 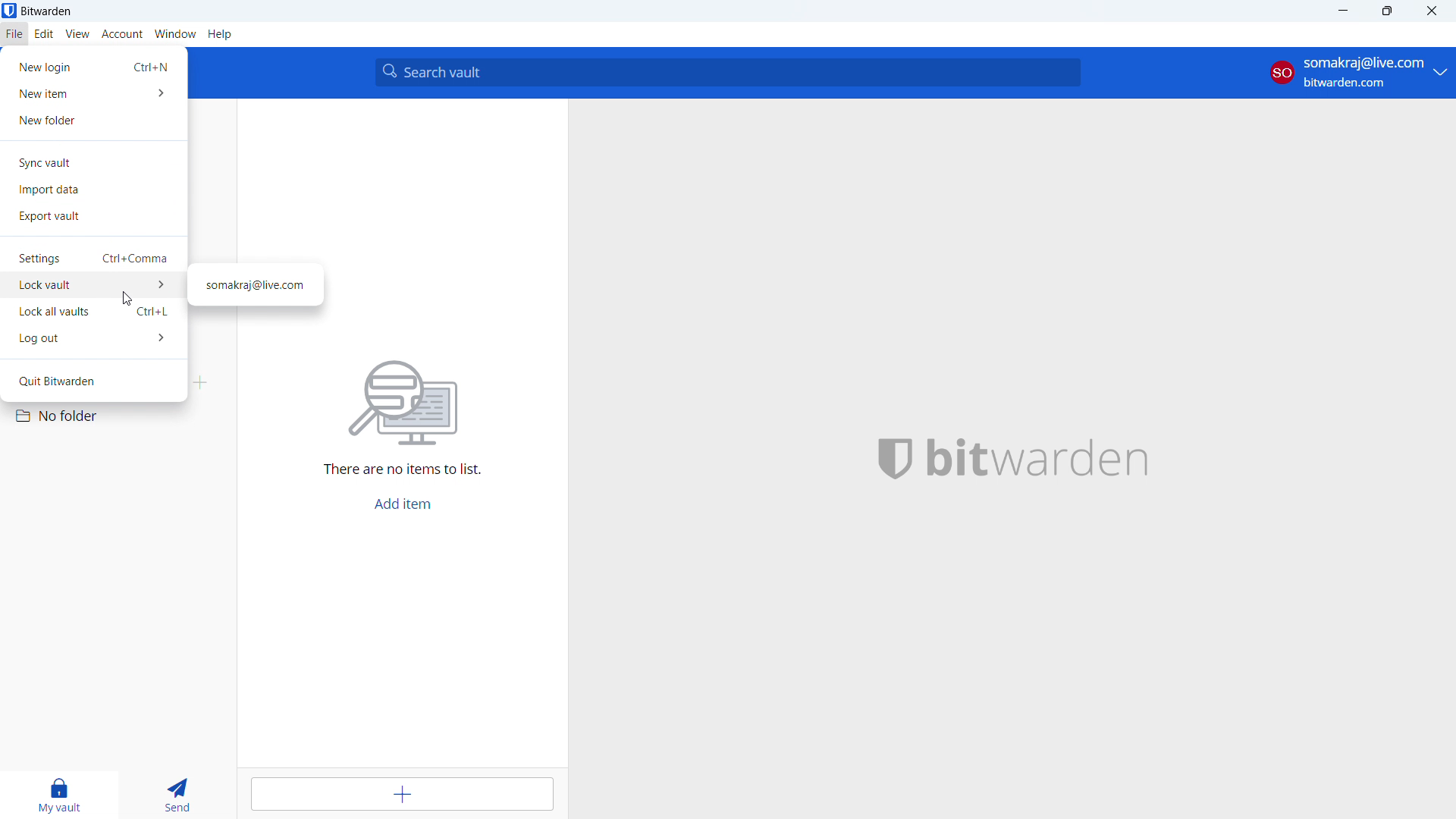 I want to click on settings, so click(x=93, y=259).